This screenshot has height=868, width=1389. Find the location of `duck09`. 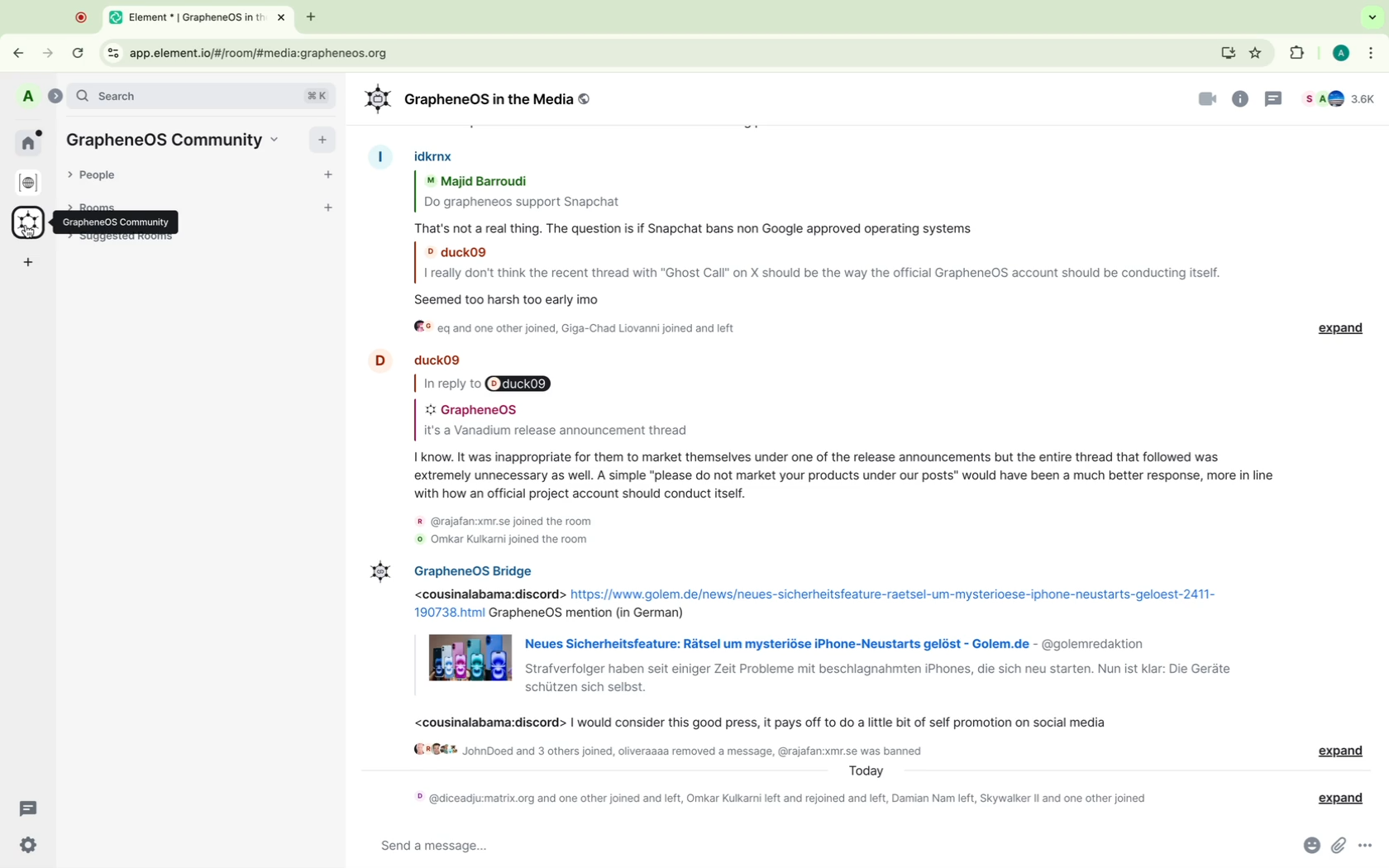

duck09 is located at coordinates (440, 359).